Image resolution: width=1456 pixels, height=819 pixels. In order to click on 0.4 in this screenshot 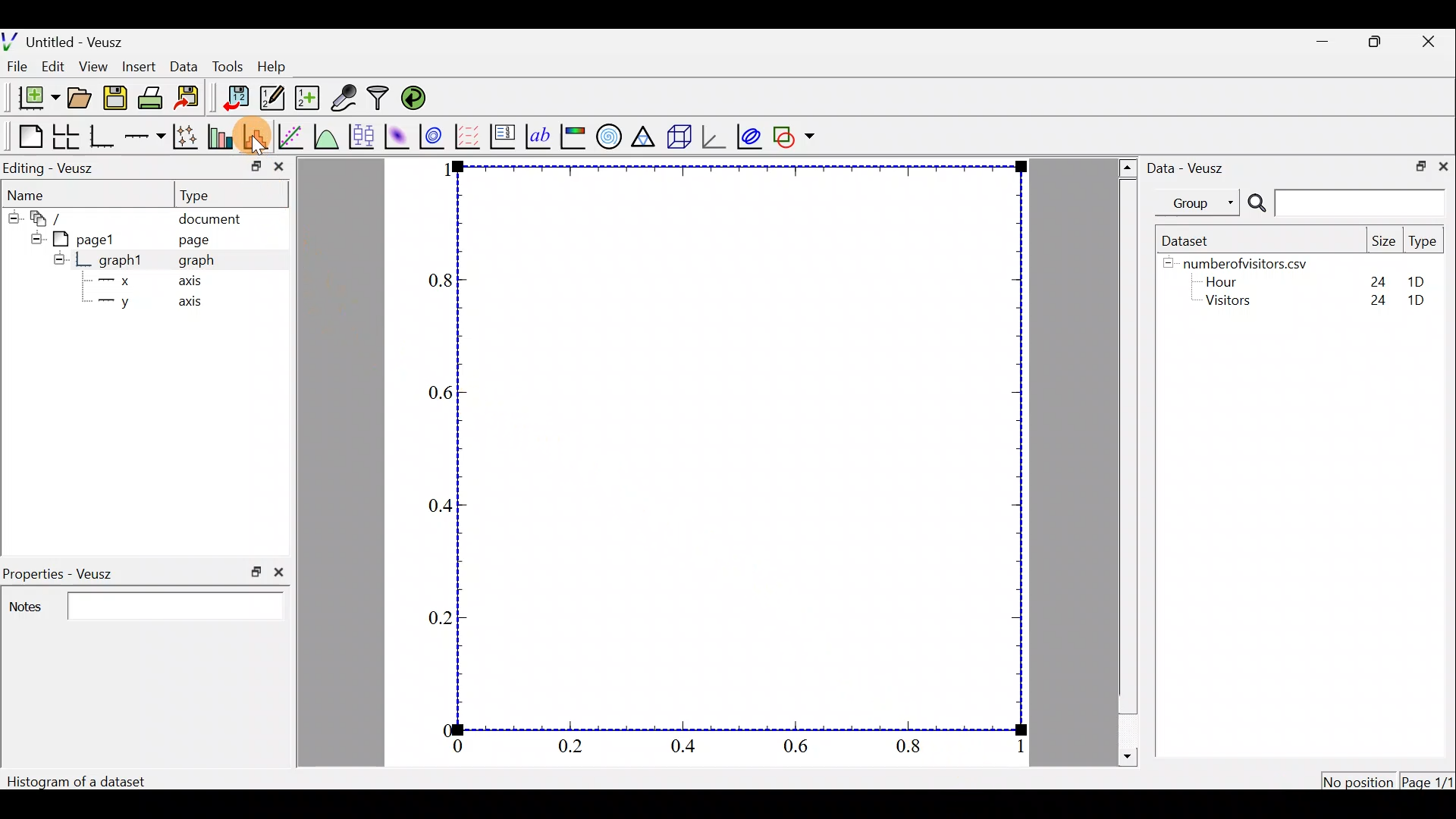, I will do `click(689, 747)`.